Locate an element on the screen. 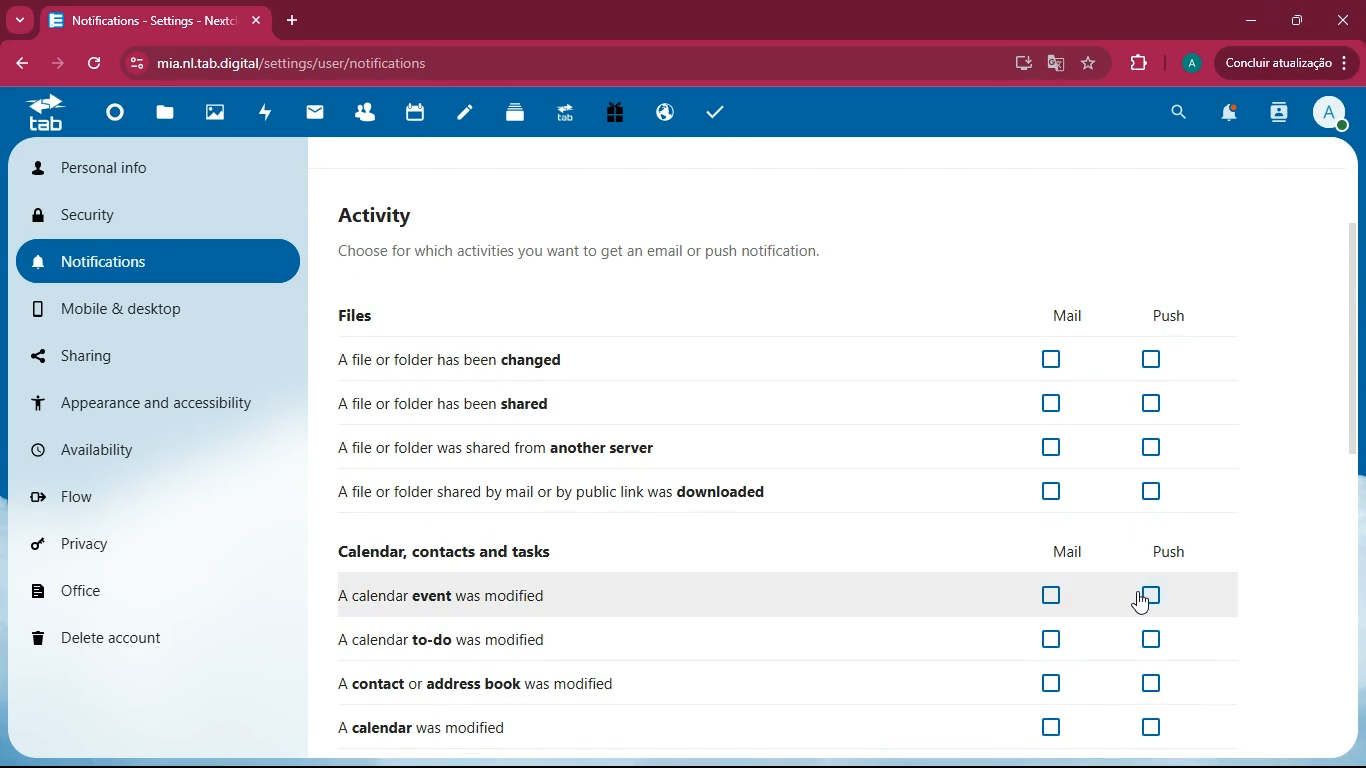 The height and width of the screenshot is (768, 1366). checkbox is located at coordinates (1049, 448).